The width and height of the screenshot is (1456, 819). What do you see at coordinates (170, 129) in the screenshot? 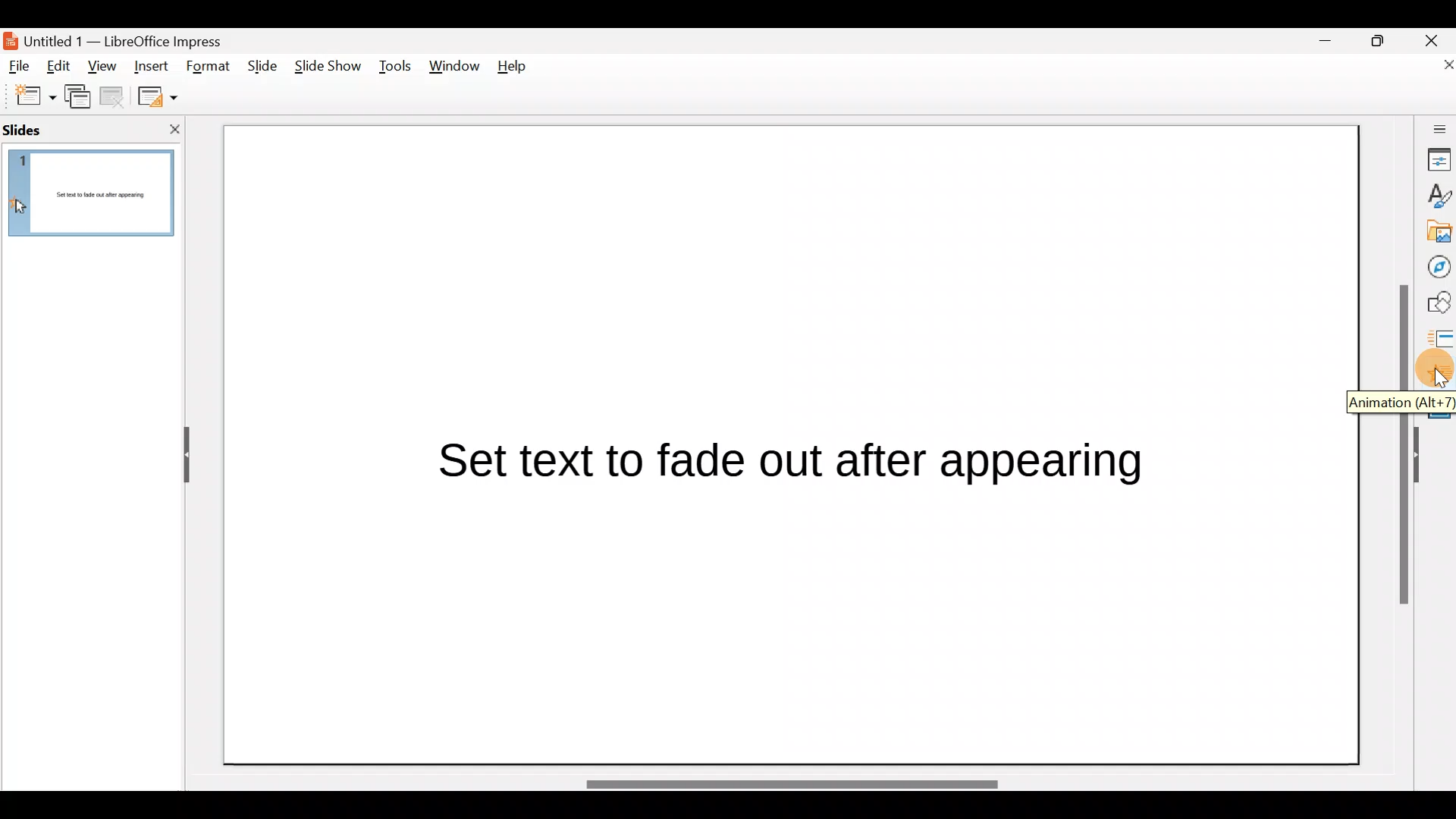
I see `Close slide pane` at bounding box center [170, 129].